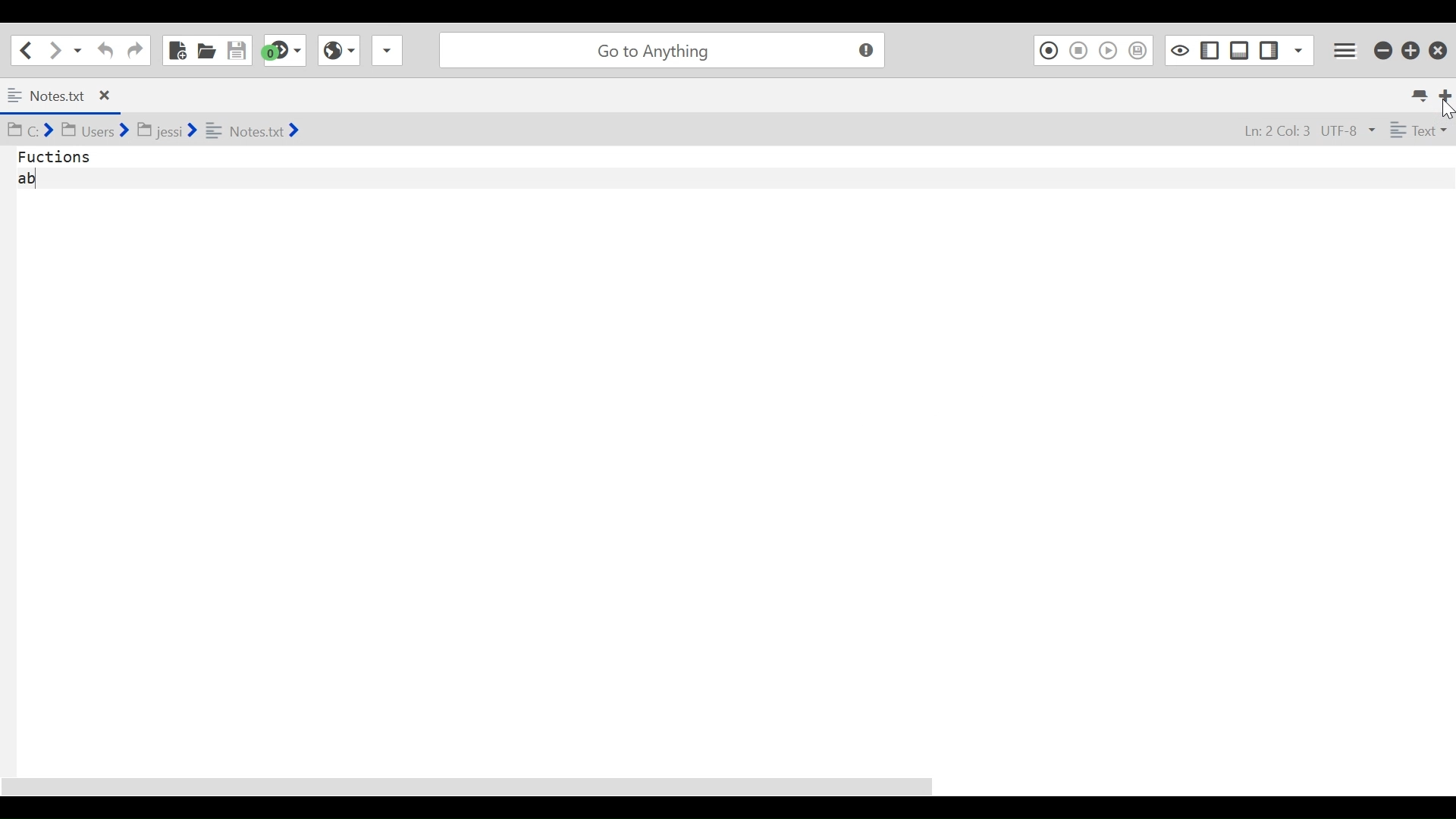 The image size is (1456, 819). I want to click on Click to go forward one location, so click(55, 50).